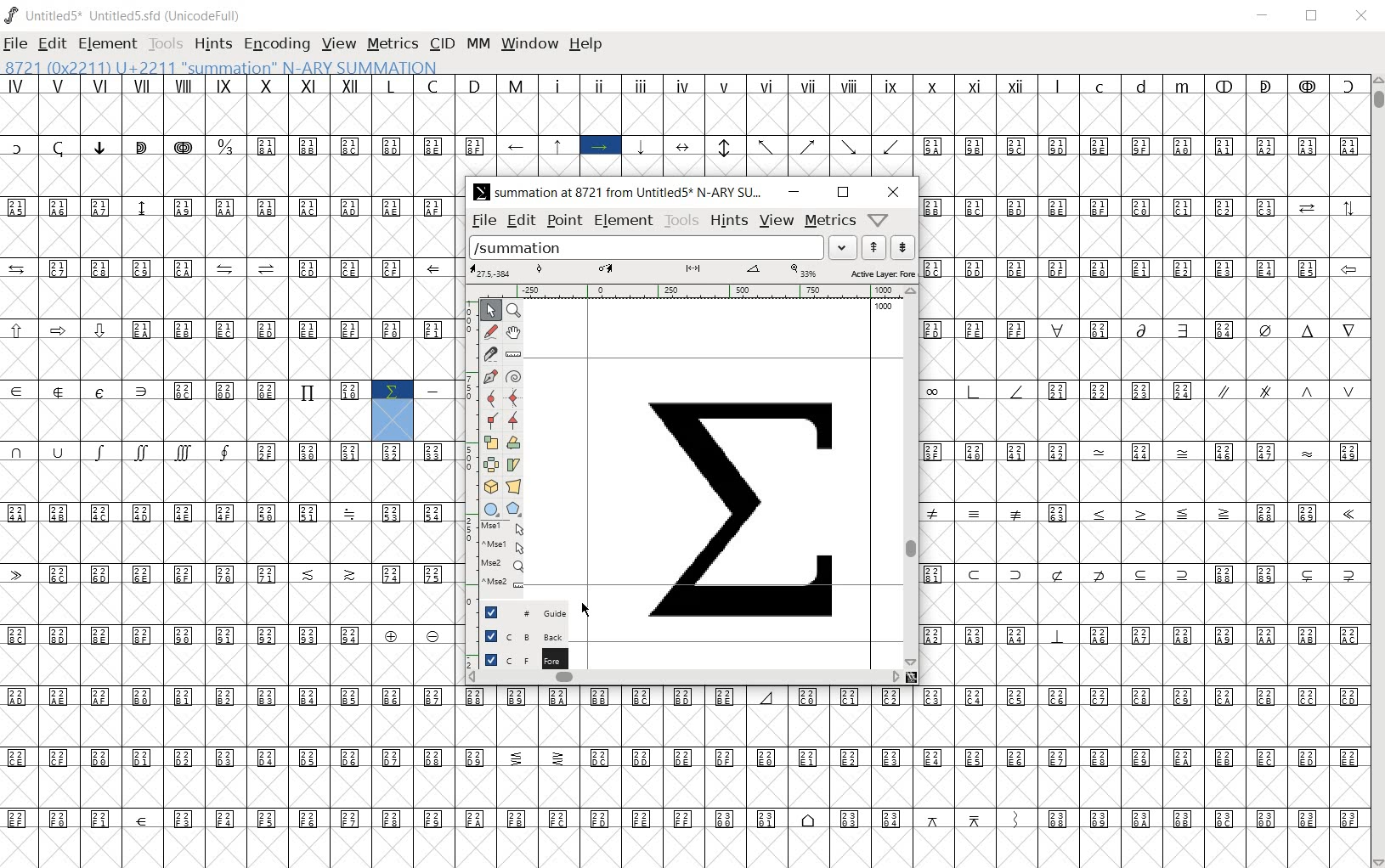 This screenshot has width=1385, height=868. I want to click on mathematical summation glyph added, so click(745, 513).